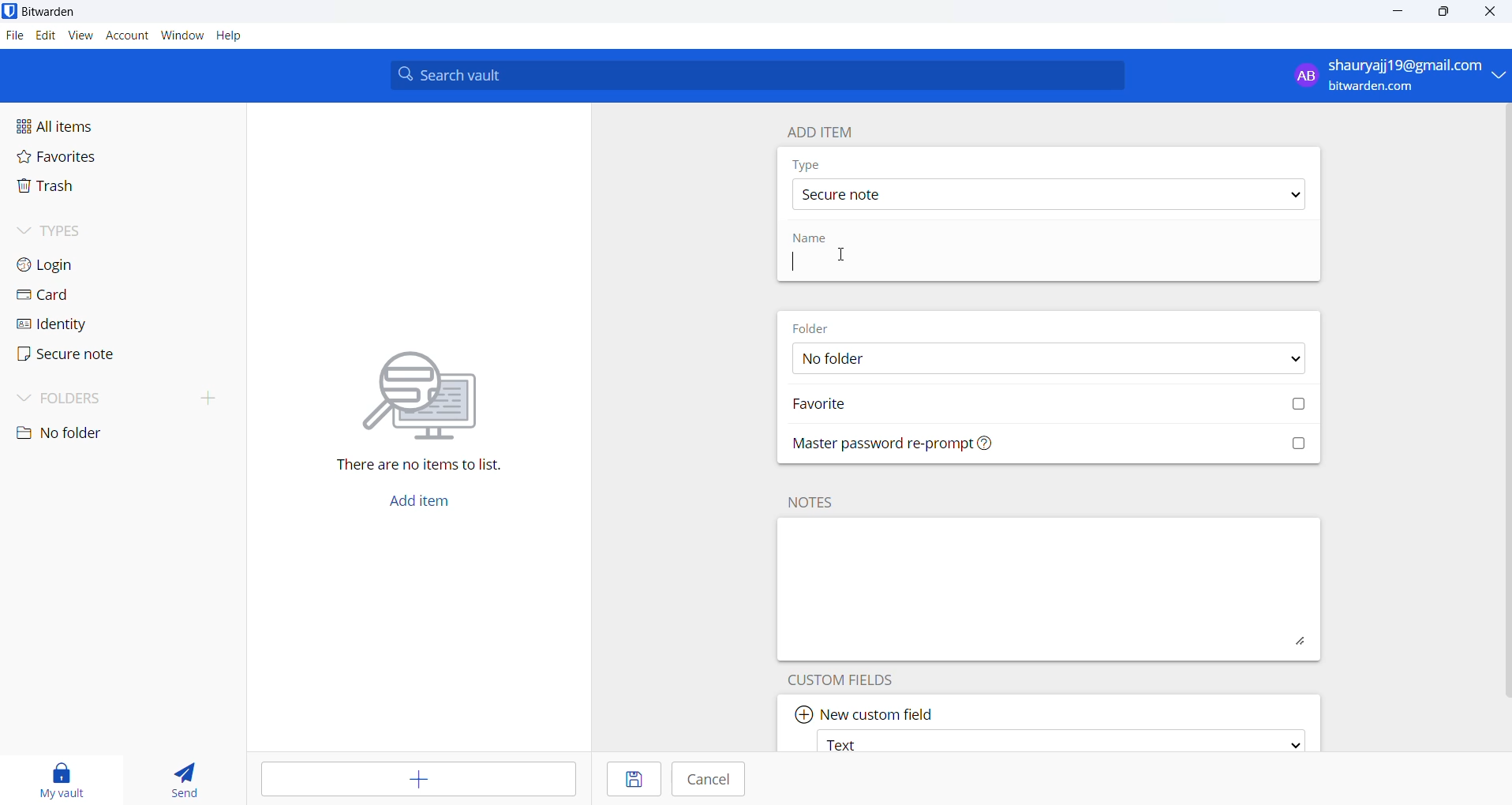  Describe the element at coordinates (182, 36) in the screenshot. I see `window` at that location.